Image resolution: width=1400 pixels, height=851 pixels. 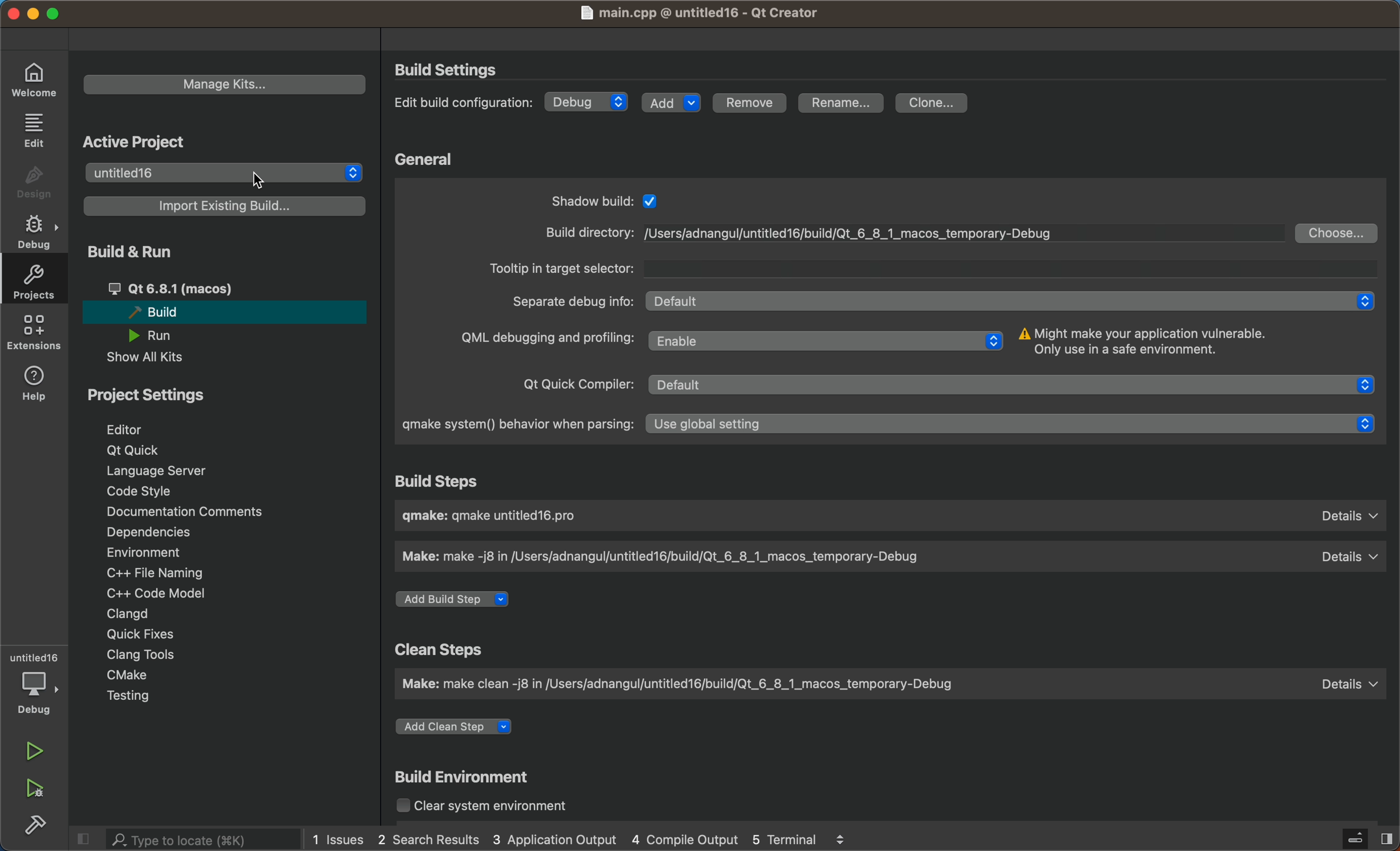 What do you see at coordinates (142, 142) in the screenshot?
I see `active project` at bounding box center [142, 142].